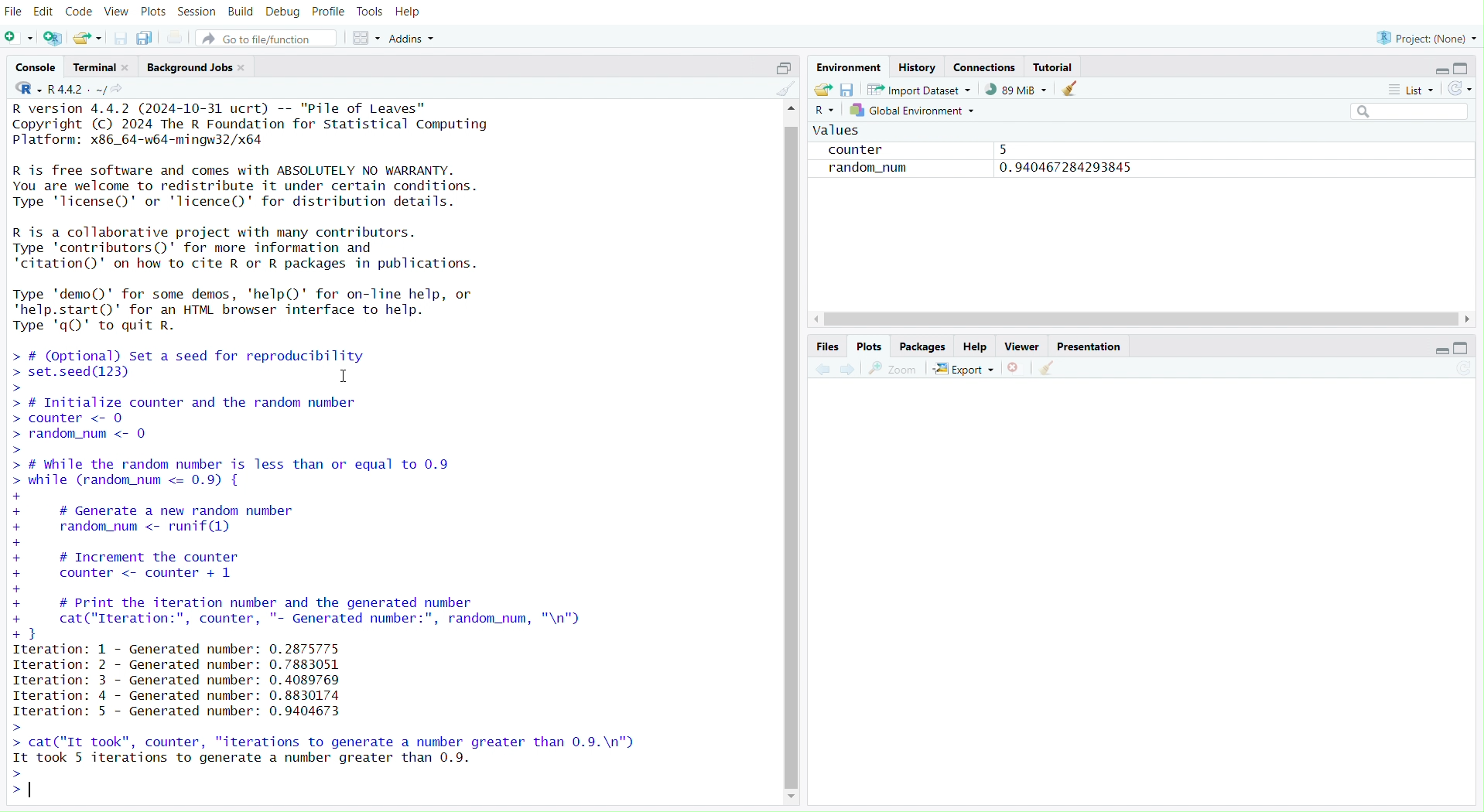  Describe the element at coordinates (848, 89) in the screenshot. I see `Save workspace as` at that location.